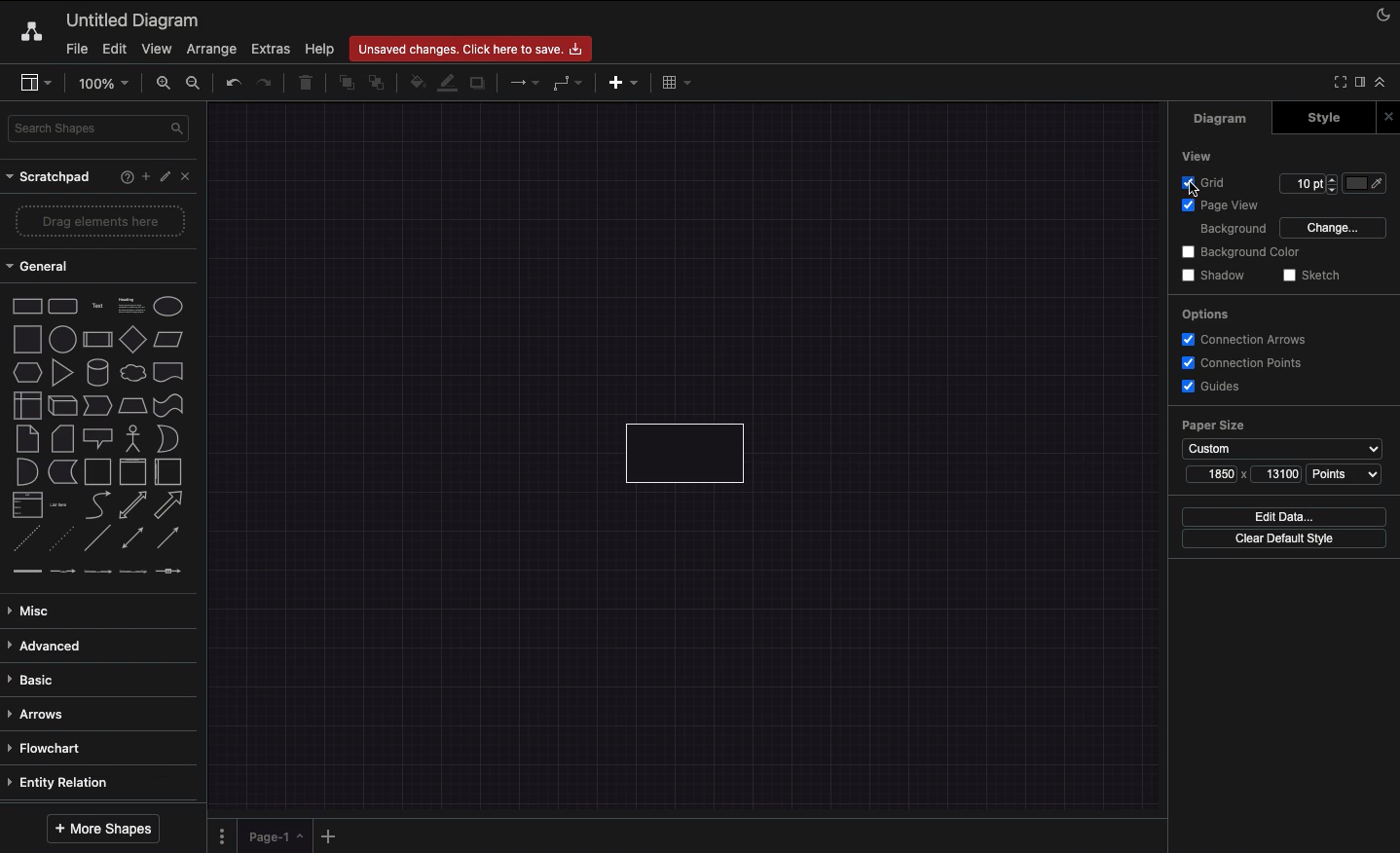 This screenshot has height=853, width=1400. Describe the element at coordinates (184, 175) in the screenshot. I see `Close` at that location.